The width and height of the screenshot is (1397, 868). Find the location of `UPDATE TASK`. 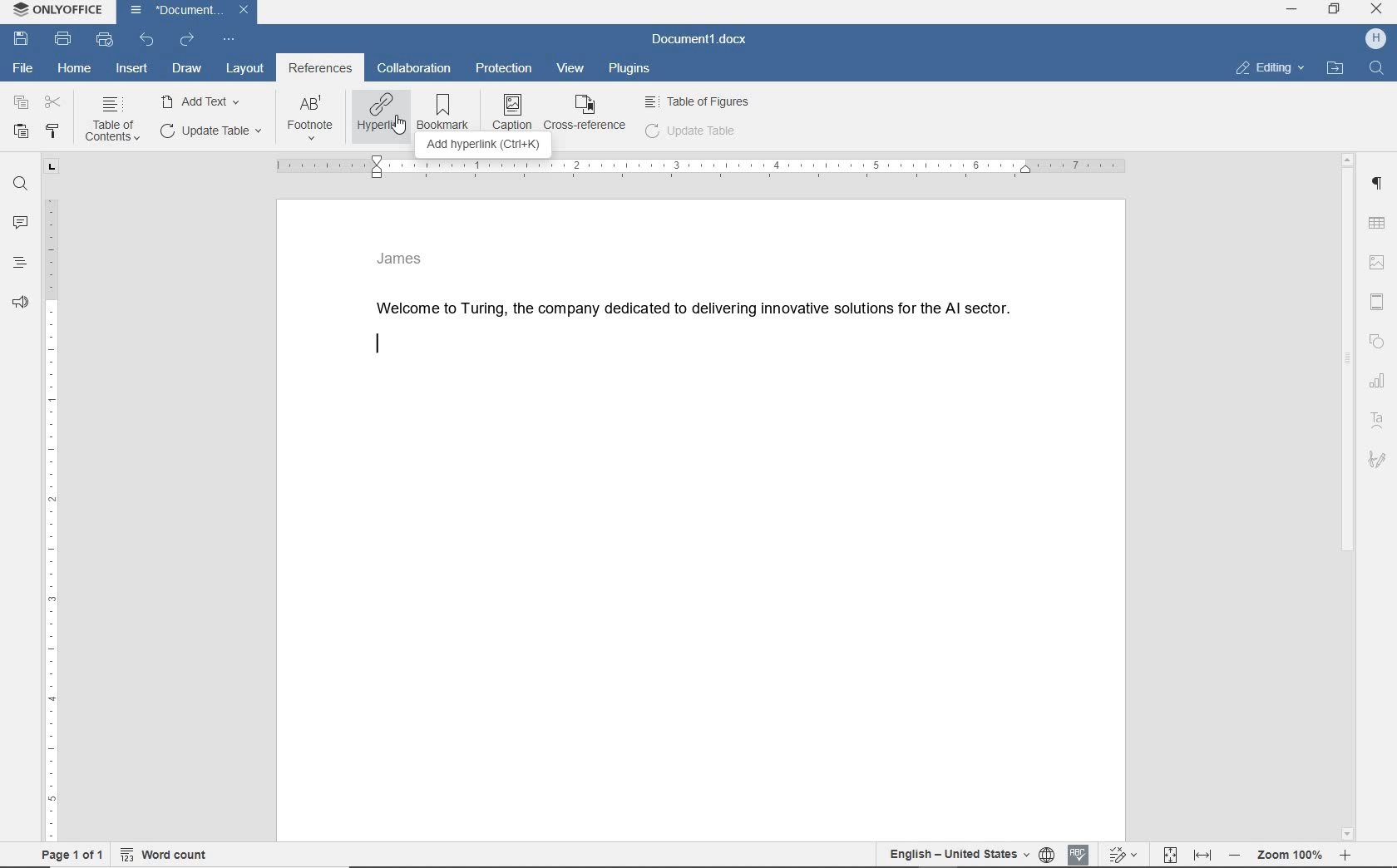

UPDATE TASK is located at coordinates (209, 131).